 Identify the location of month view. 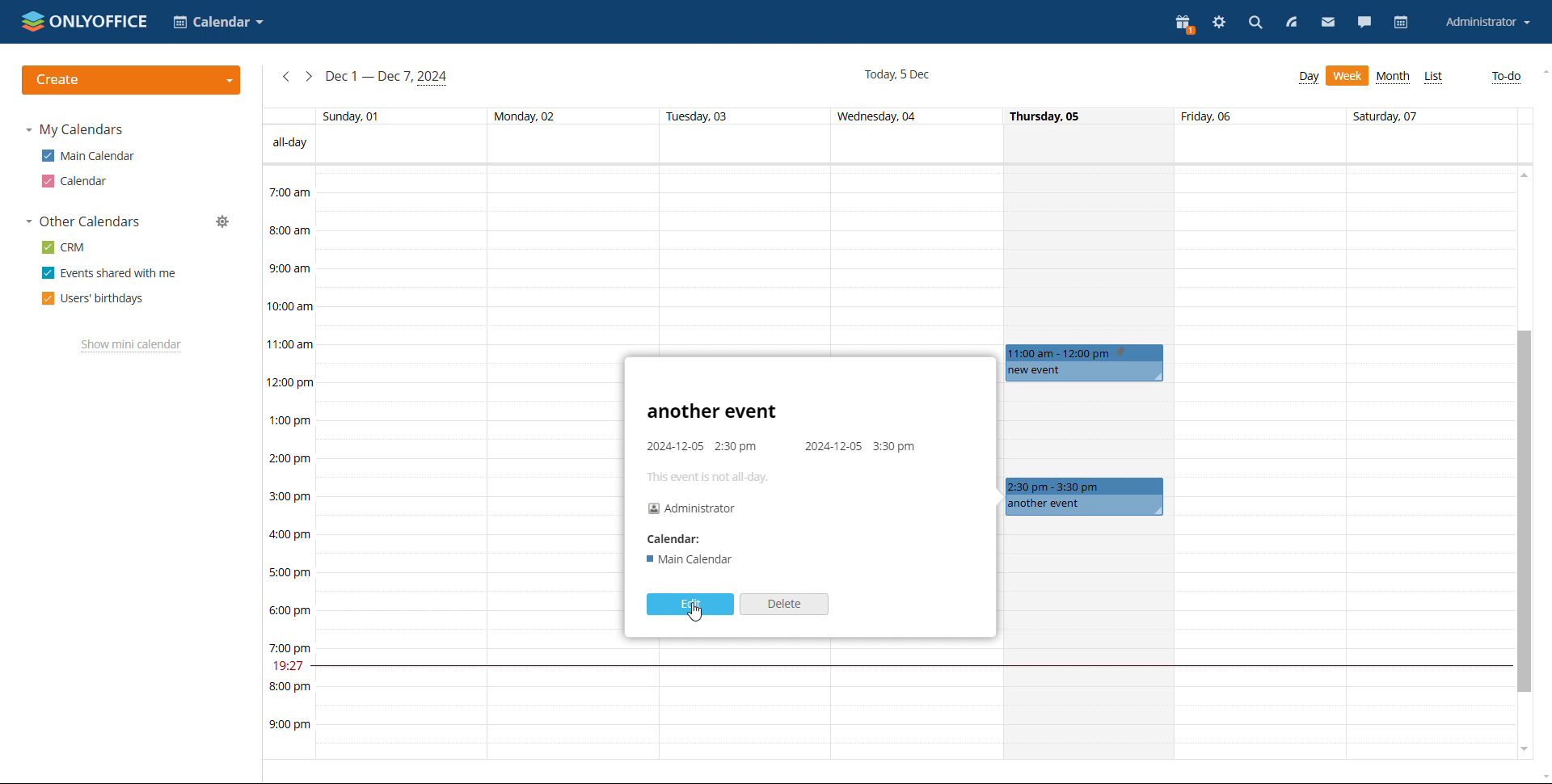
(1394, 78).